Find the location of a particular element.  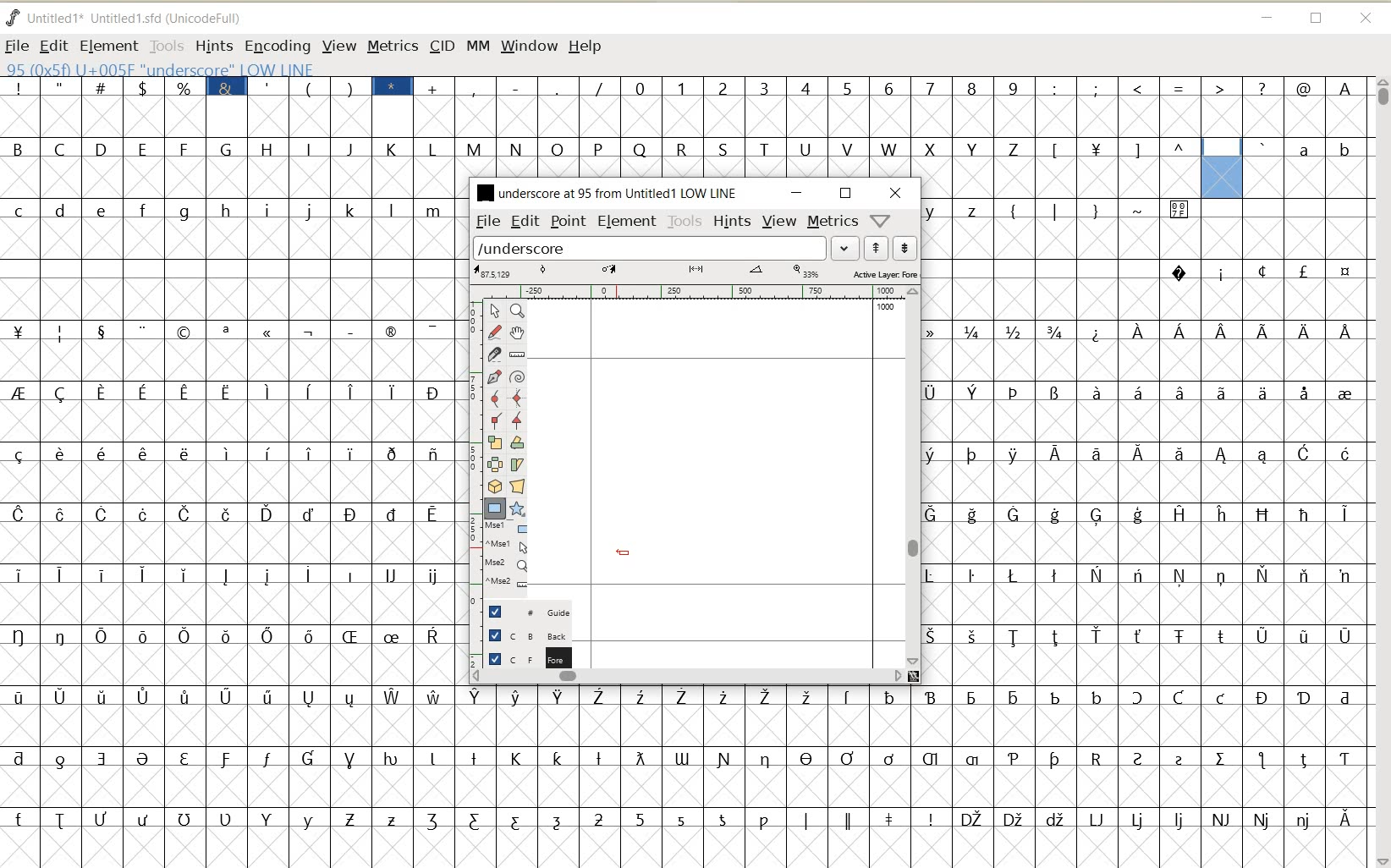

HINTS is located at coordinates (213, 46).